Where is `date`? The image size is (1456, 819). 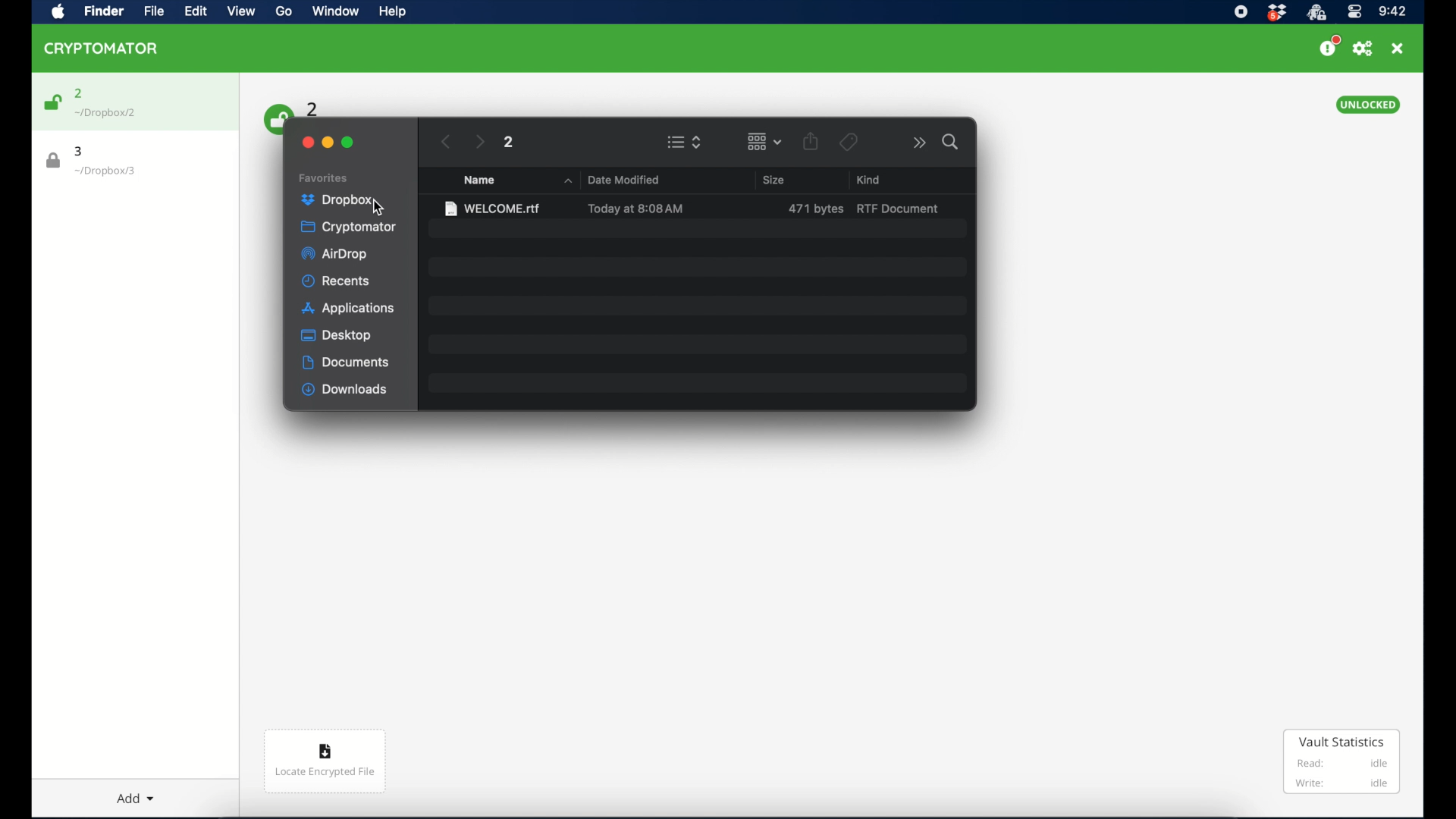 date is located at coordinates (637, 209).